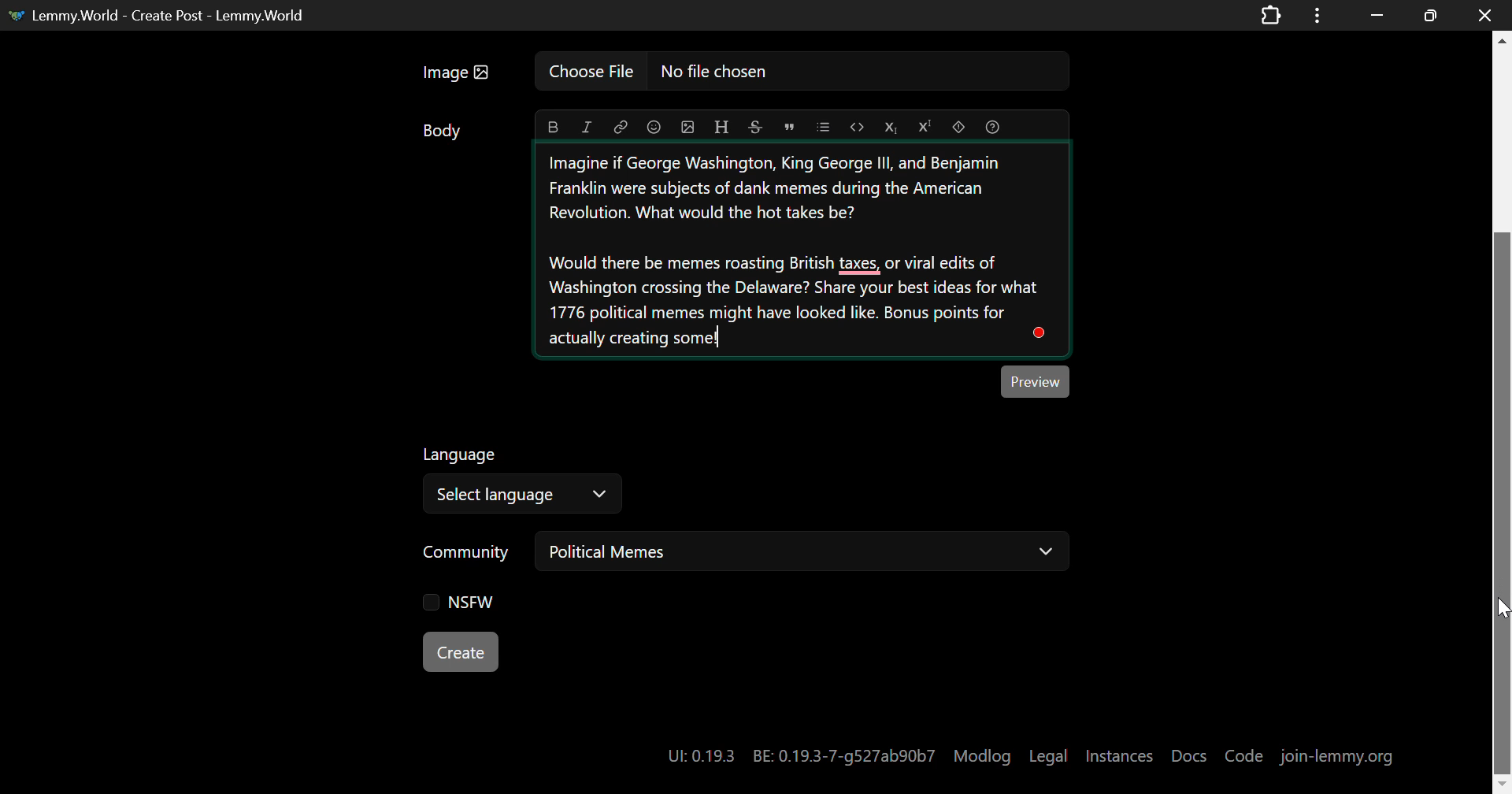  Describe the element at coordinates (746, 552) in the screenshot. I see `Select Post Community` at that location.